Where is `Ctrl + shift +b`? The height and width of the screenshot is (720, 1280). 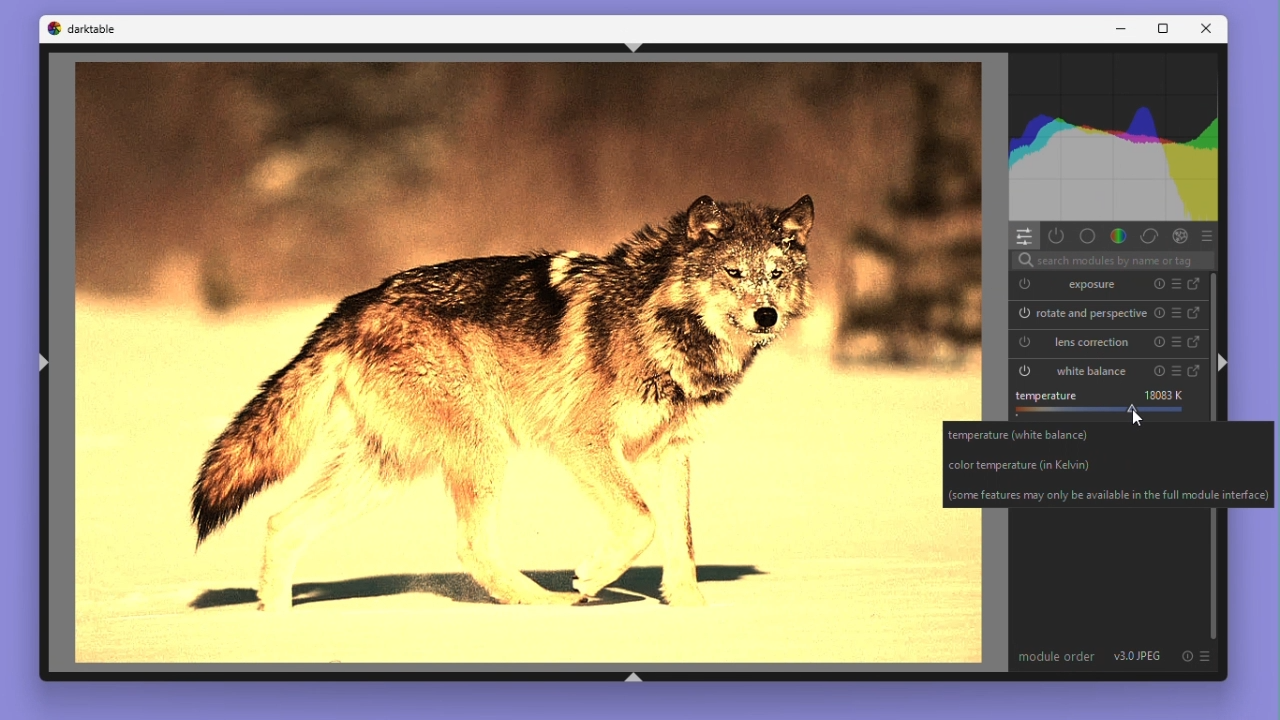
Ctrl + shift +b is located at coordinates (638, 675).